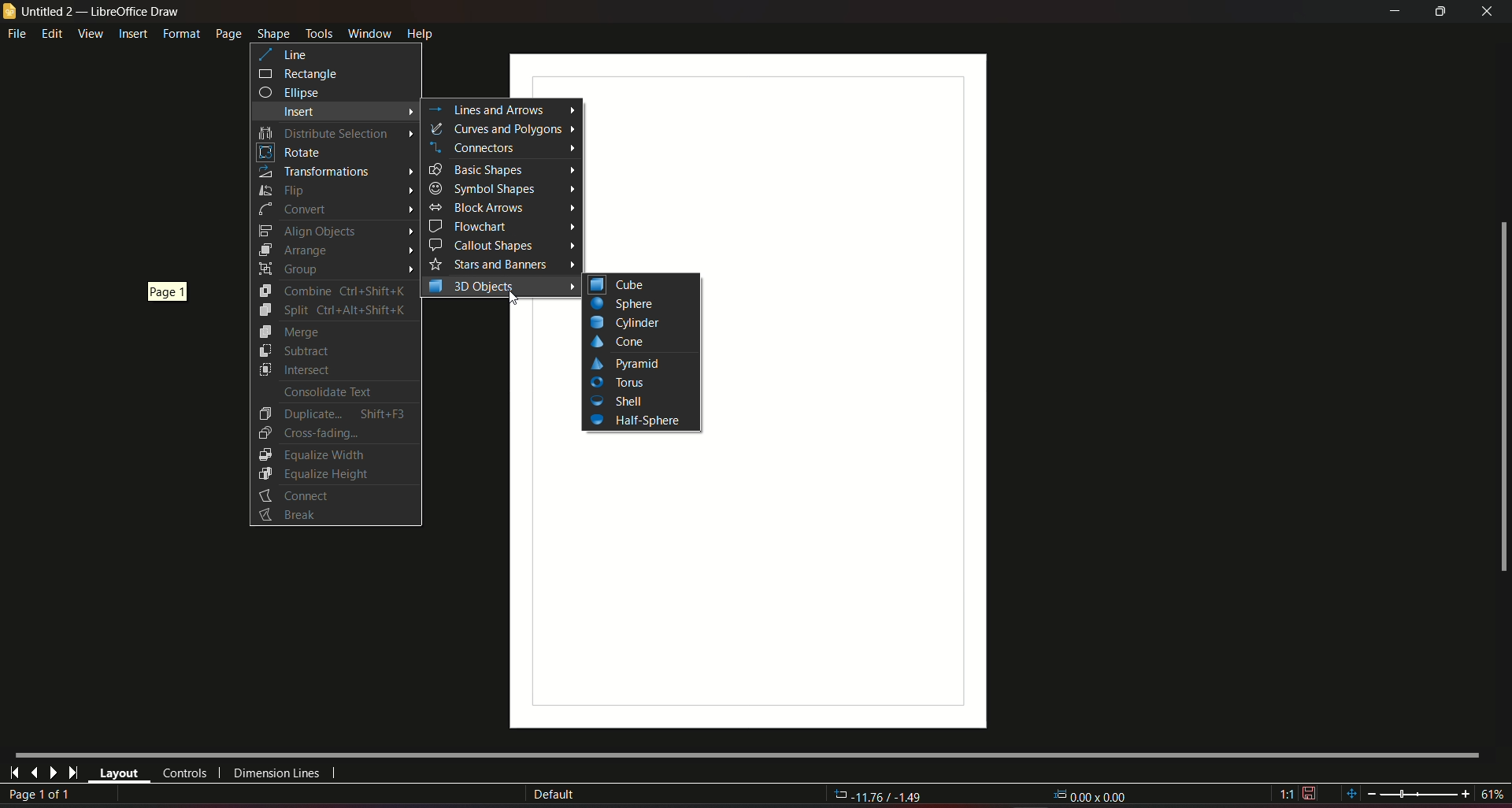 This screenshot has width=1512, height=808. What do you see at coordinates (487, 109) in the screenshot?
I see `Lines and arrows` at bounding box center [487, 109].